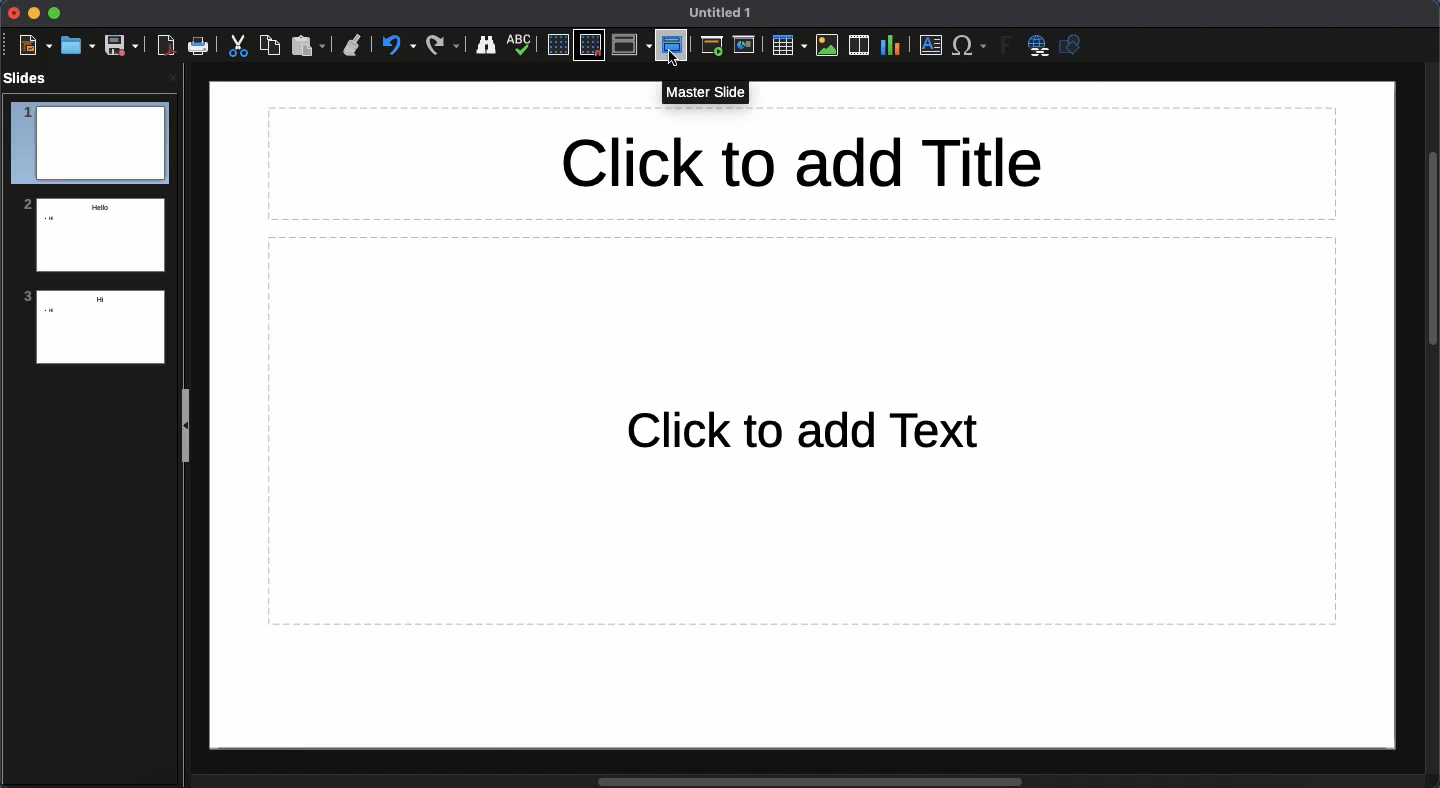 Image resolution: width=1440 pixels, height=788 pixels. Describe the element at coordinates (310, 46) in the screenshot. I see `Paste` at that location.